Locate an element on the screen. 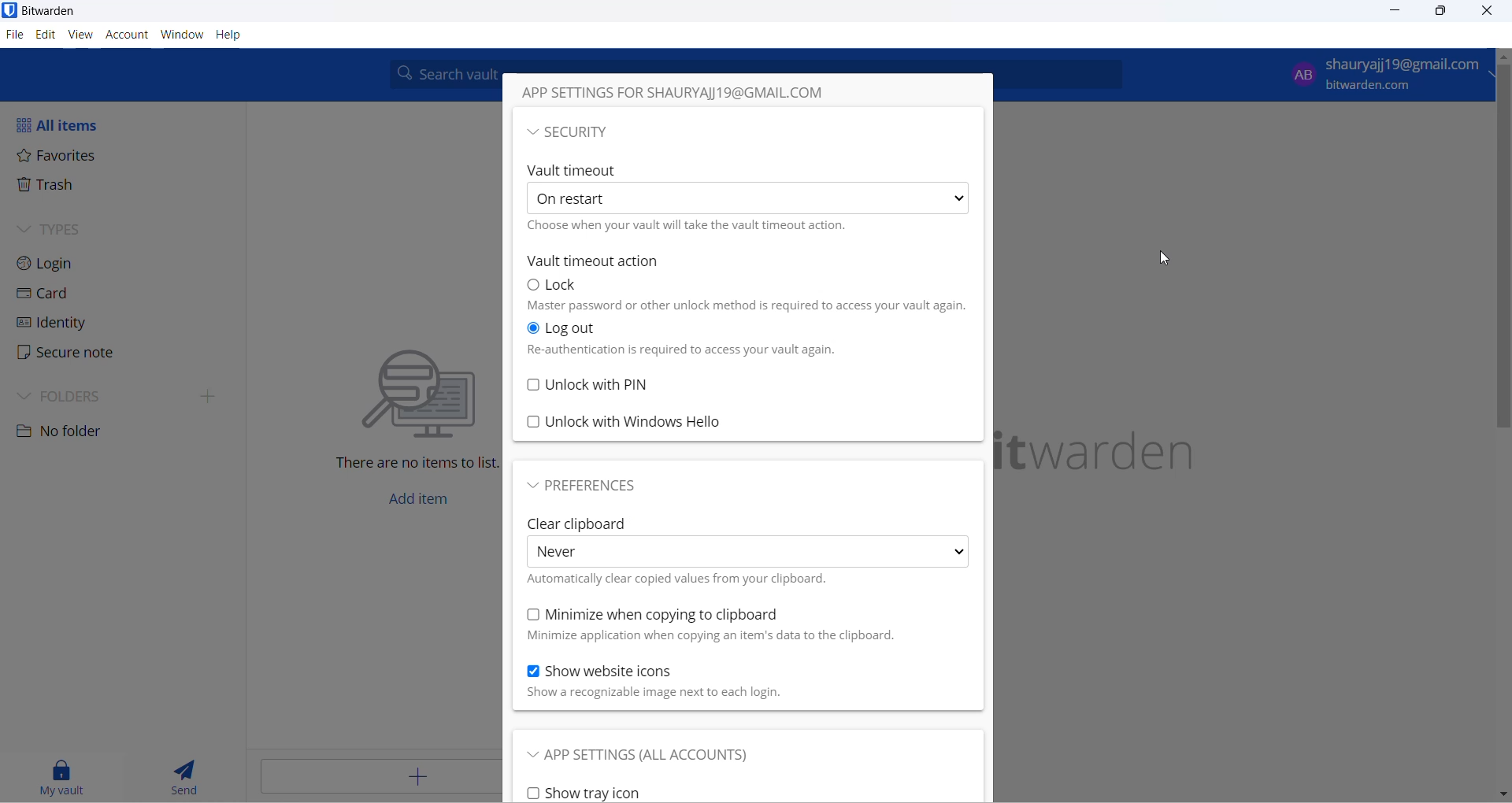 The height and width of the screenshot is (803, 1512). show tray icon checkbox is located at coordinates (621, 791).